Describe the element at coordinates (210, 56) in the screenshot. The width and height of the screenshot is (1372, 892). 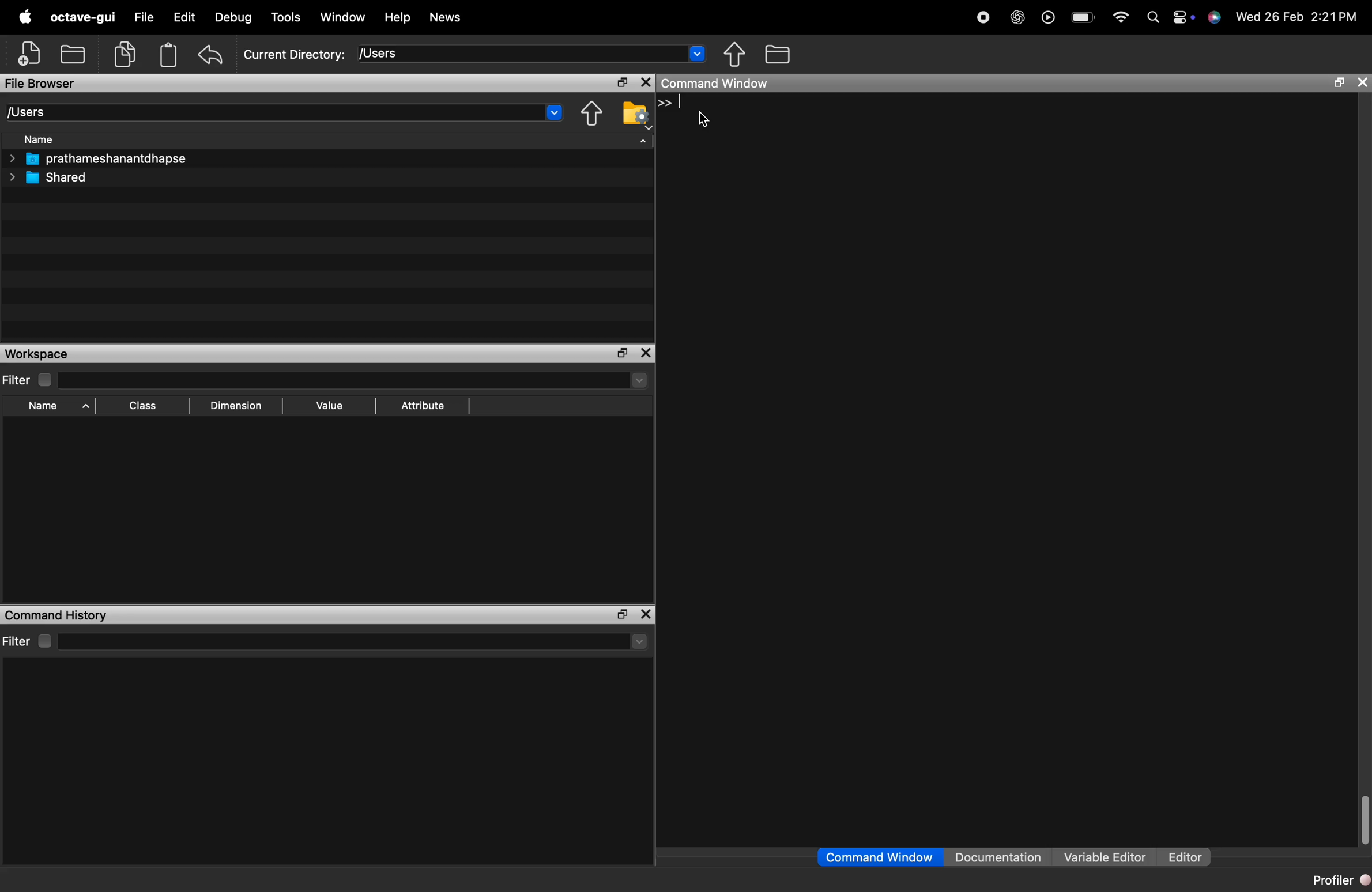
I see `undo` at that location.